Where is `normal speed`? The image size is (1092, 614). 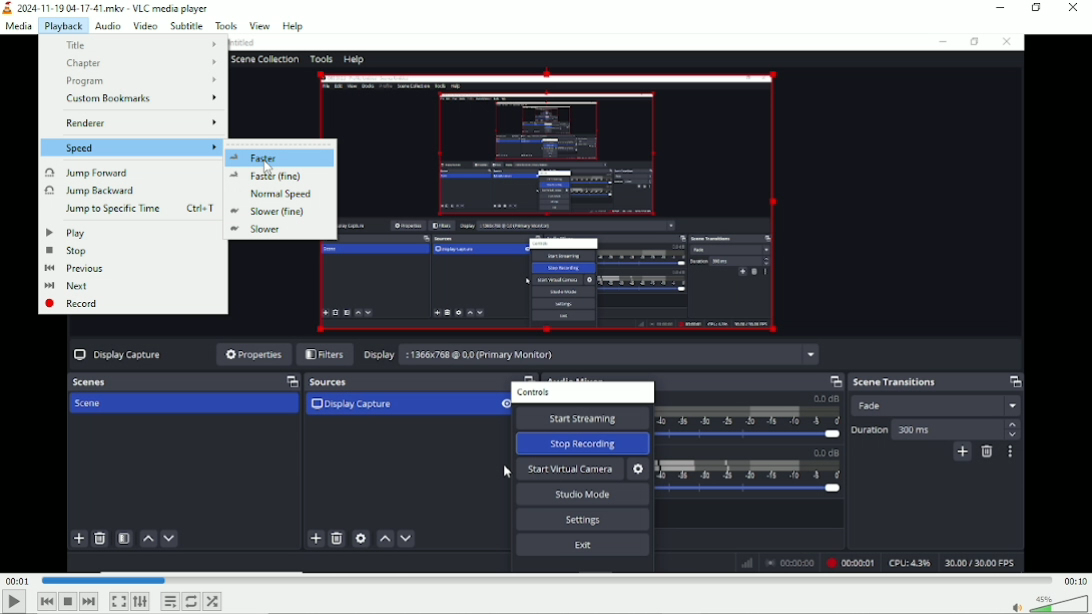
normal speed is located at coordinates (276, 193).